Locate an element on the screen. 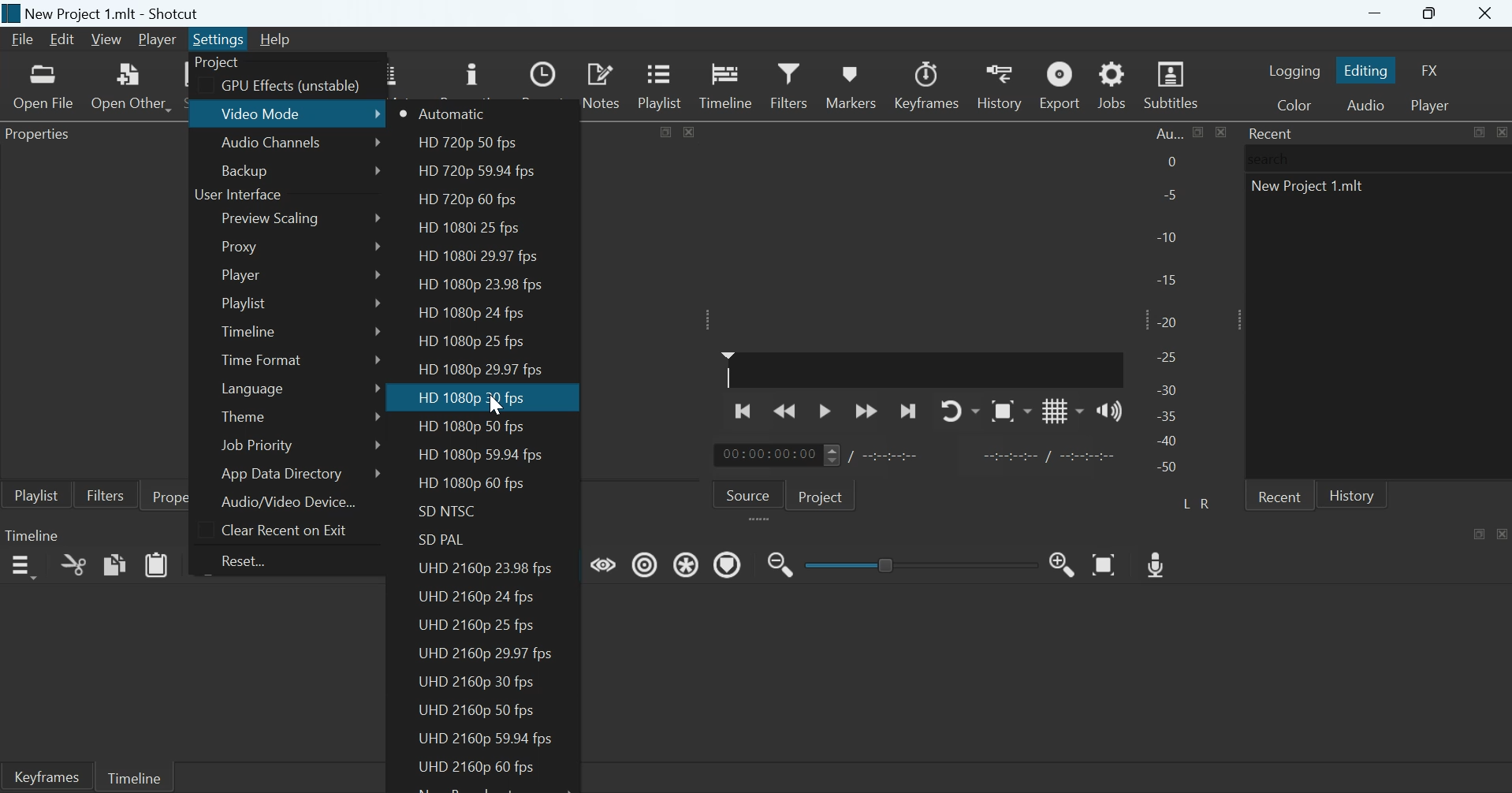 This screenshot has height=793, width=1512. UHD 2160p 30 fps is located at coordinates (482, 682).